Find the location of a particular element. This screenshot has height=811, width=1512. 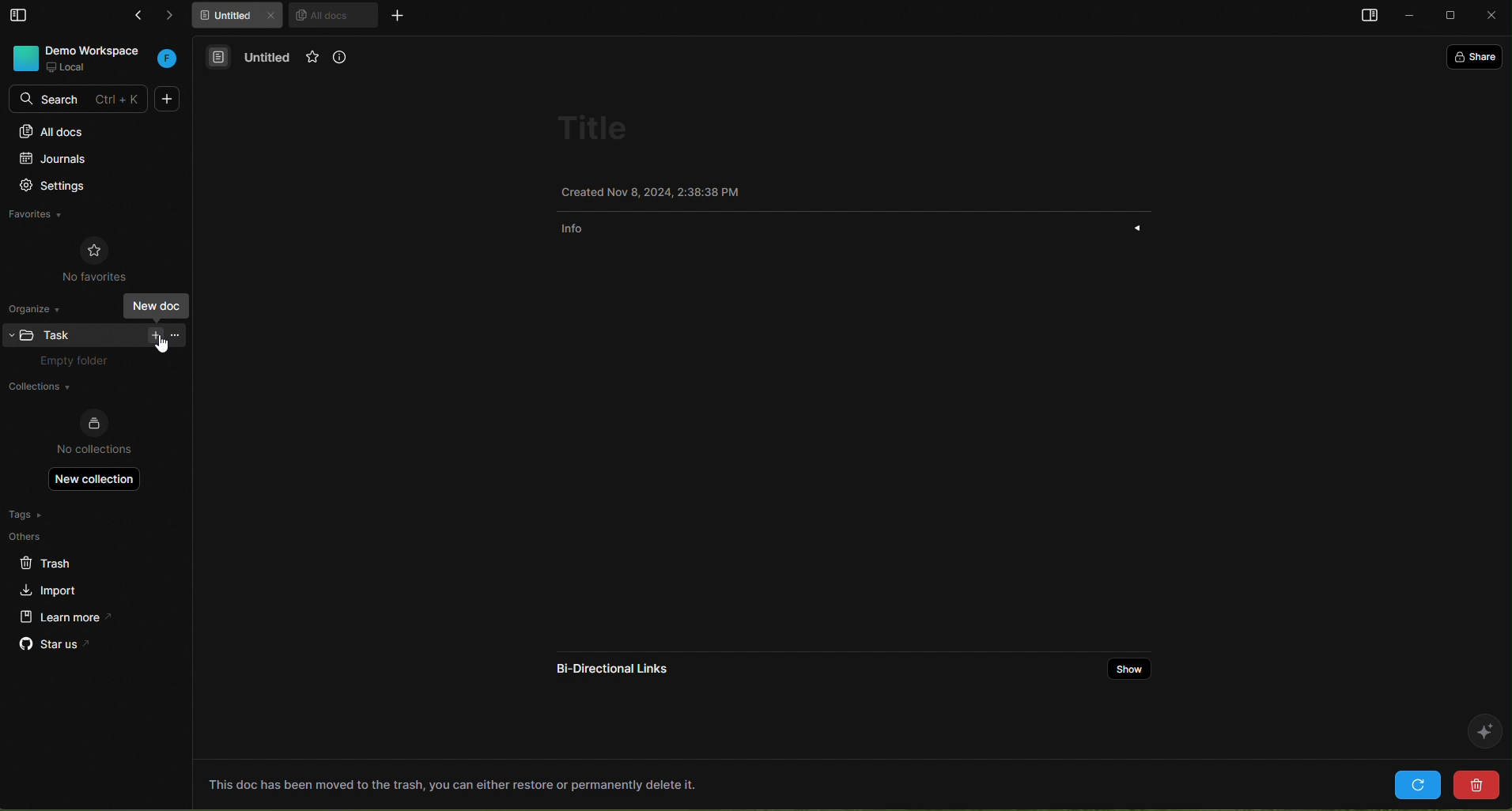

new tab is located at coordinates (396, 15).